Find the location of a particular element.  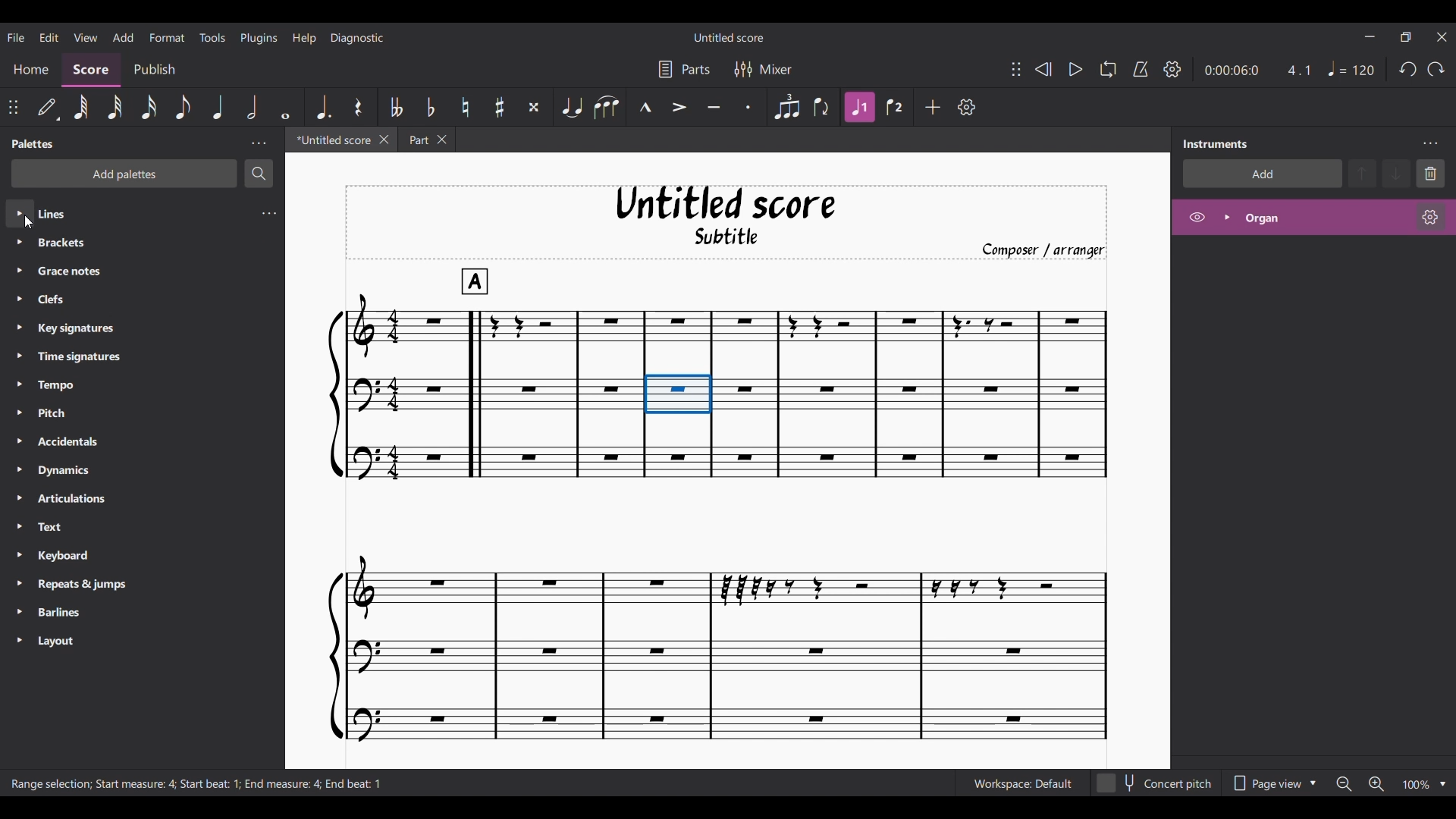

32nd note is located at coordinates (115, 108).